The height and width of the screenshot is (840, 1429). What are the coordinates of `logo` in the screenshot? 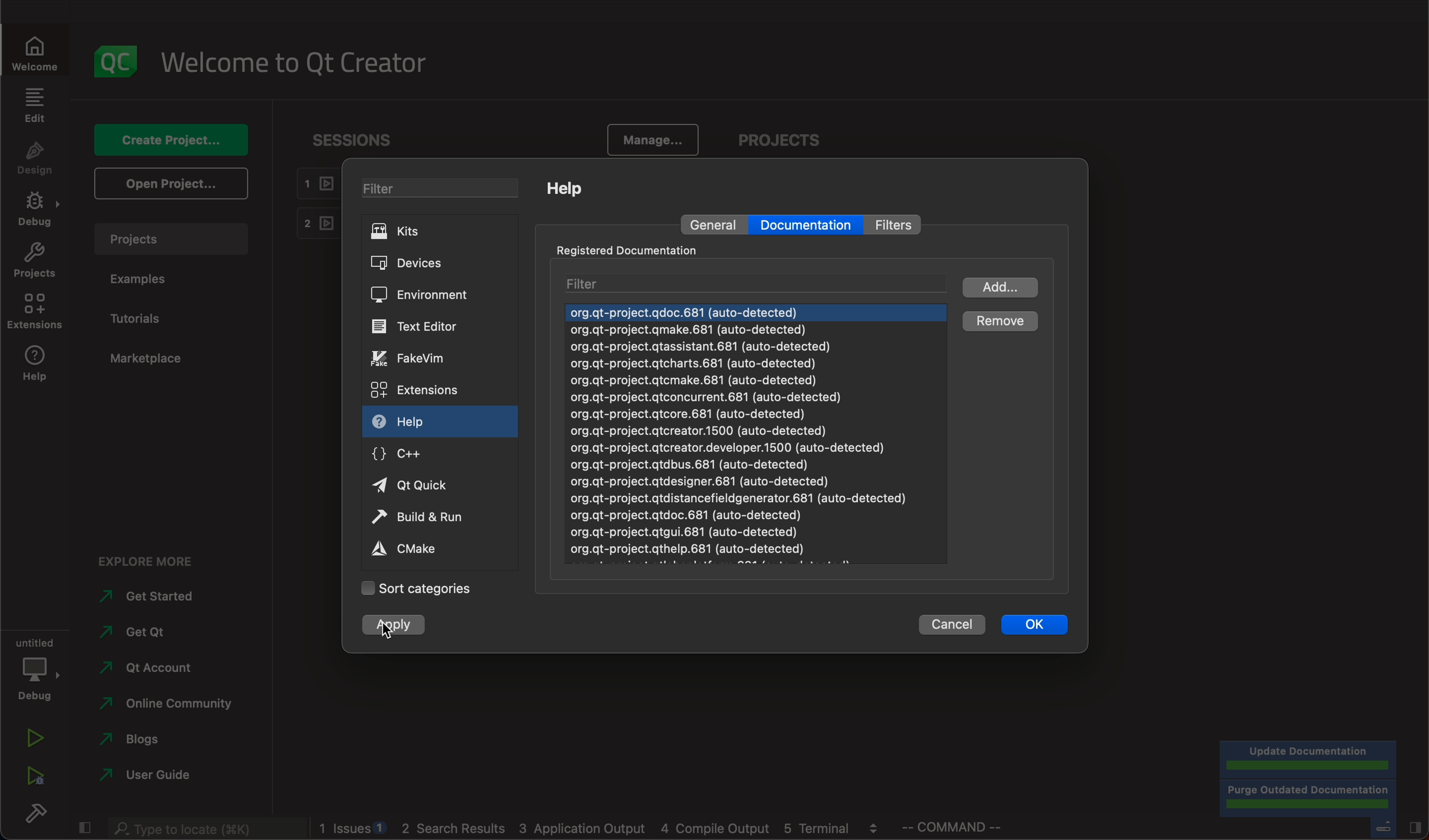 It's located at (112, 63).